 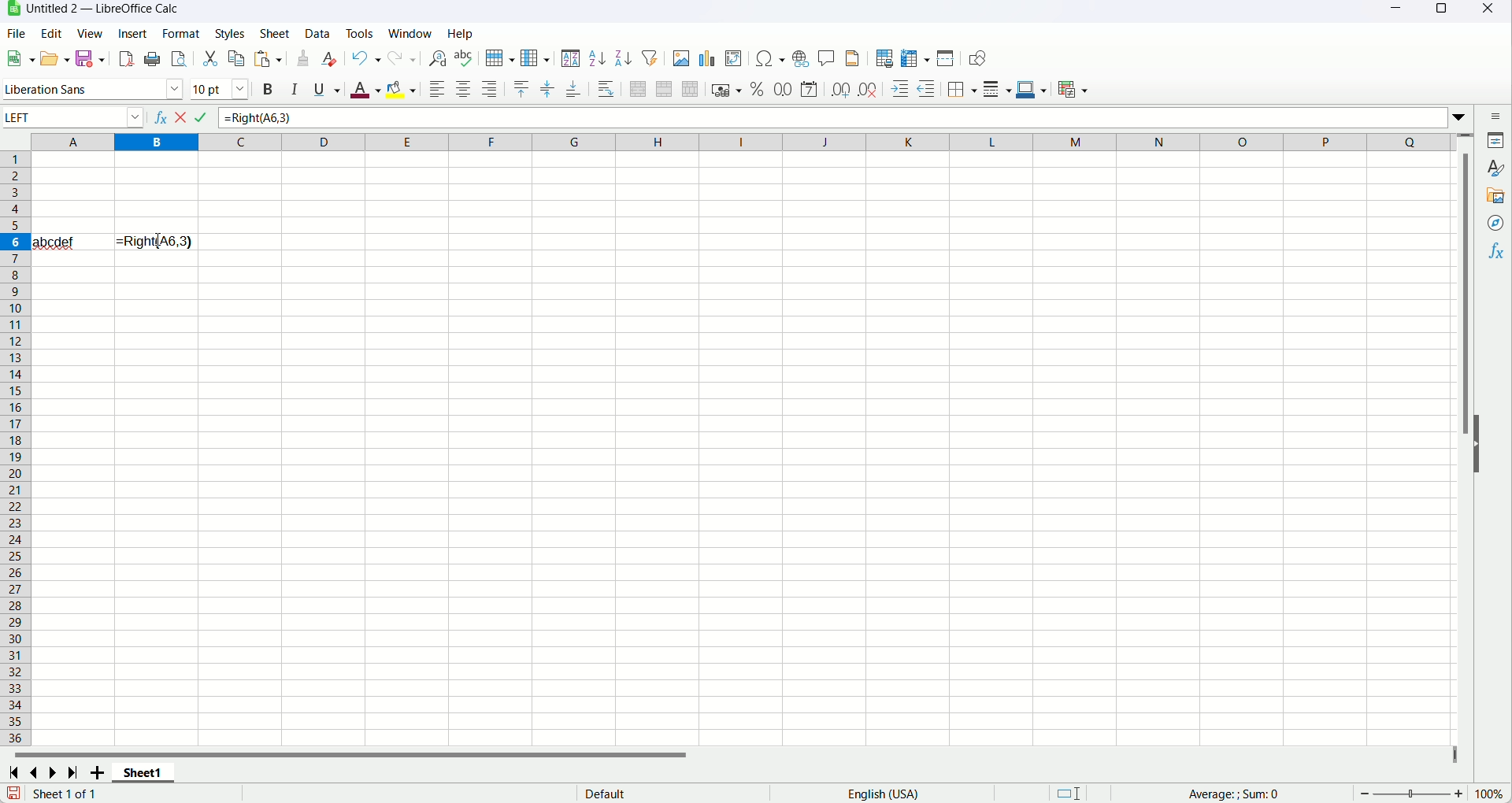 I want to click on bold, so click(x=268, y=88).